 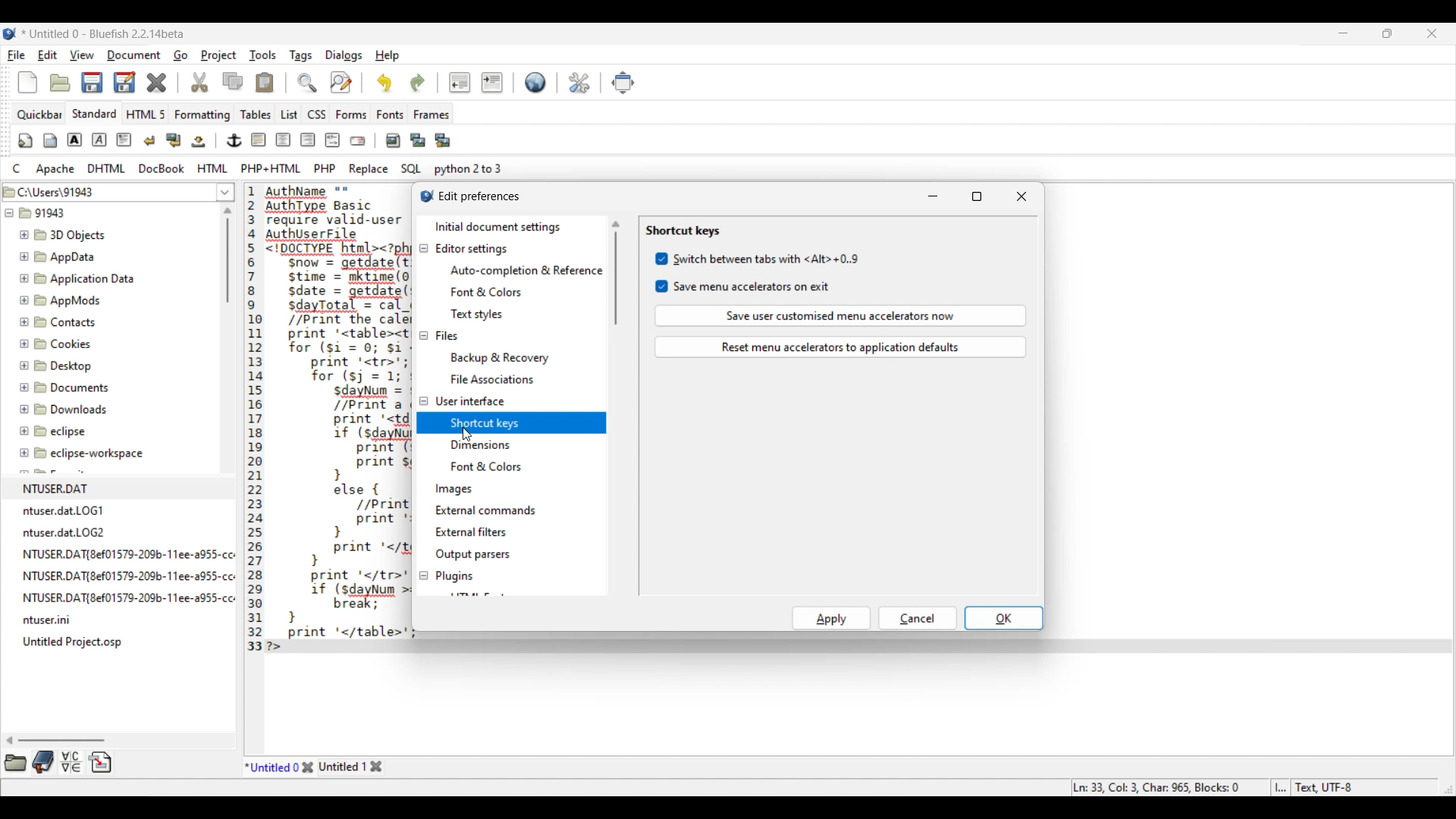 What do you see at coordinates (390, 115) in the screenshot?
I see `Fonts` at bounding box center [390, 115].